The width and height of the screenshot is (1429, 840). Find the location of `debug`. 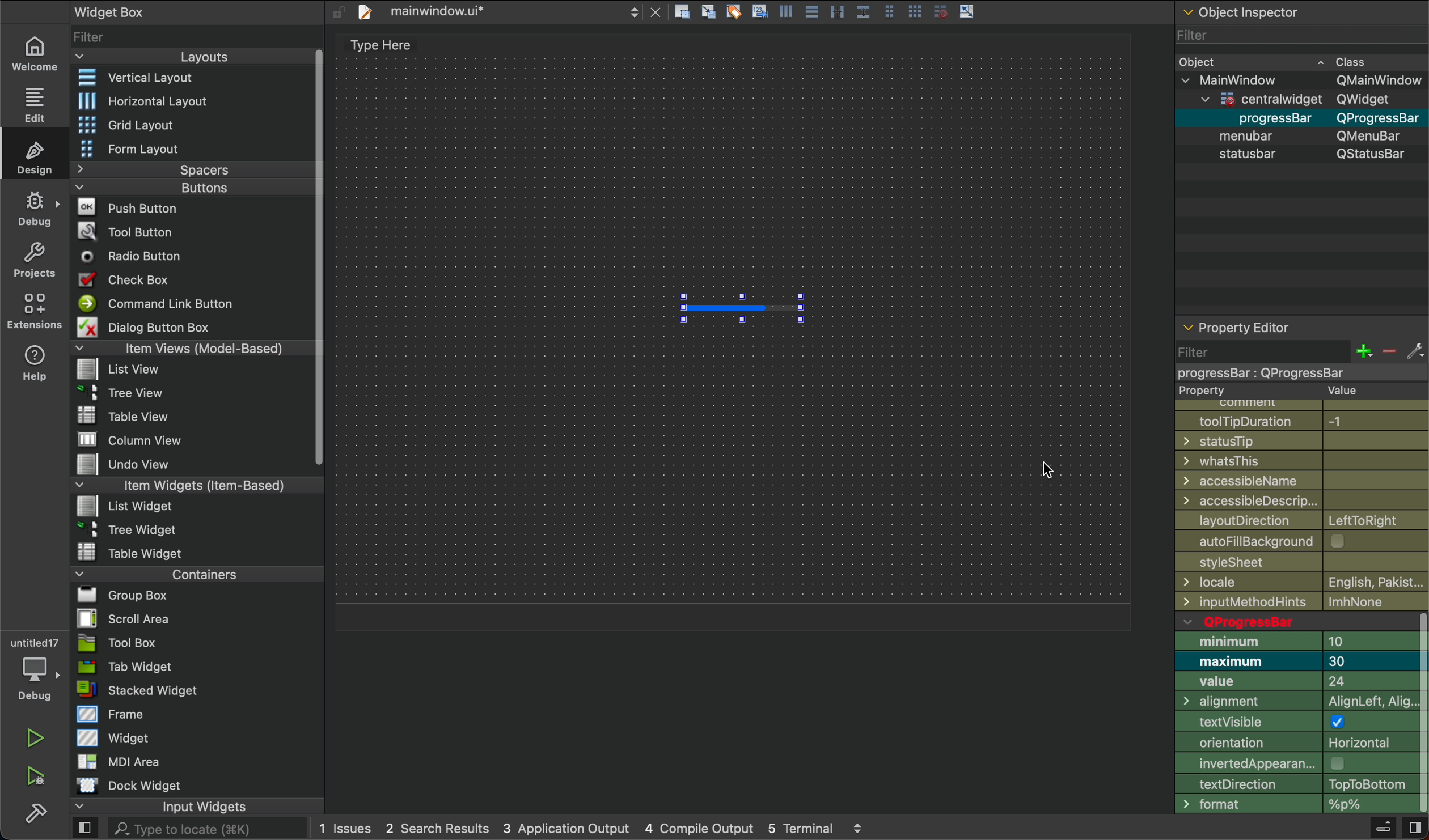

debug is located at coordinates (36, 209).